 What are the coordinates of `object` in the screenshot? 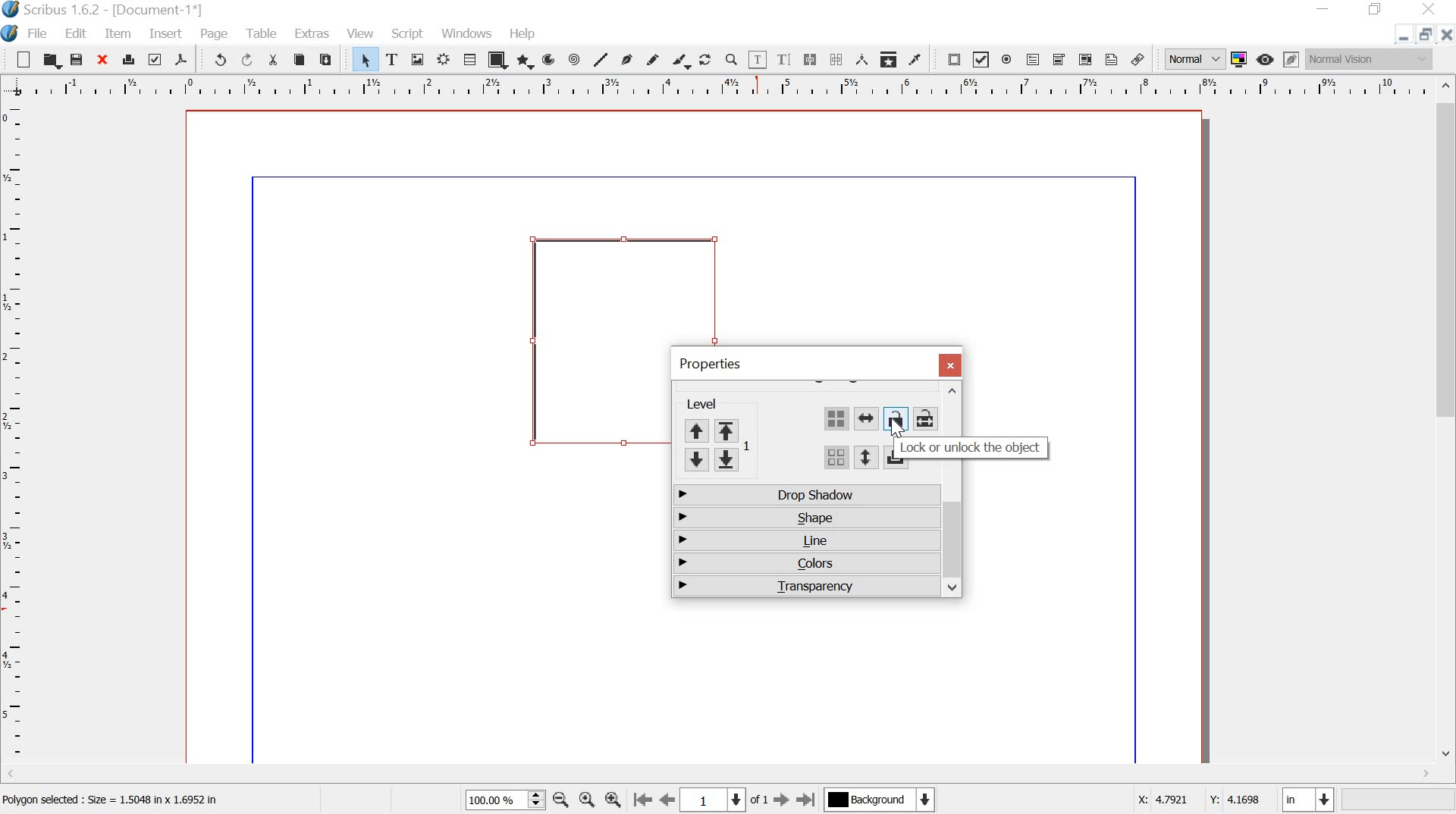 It's located at (595, 340).